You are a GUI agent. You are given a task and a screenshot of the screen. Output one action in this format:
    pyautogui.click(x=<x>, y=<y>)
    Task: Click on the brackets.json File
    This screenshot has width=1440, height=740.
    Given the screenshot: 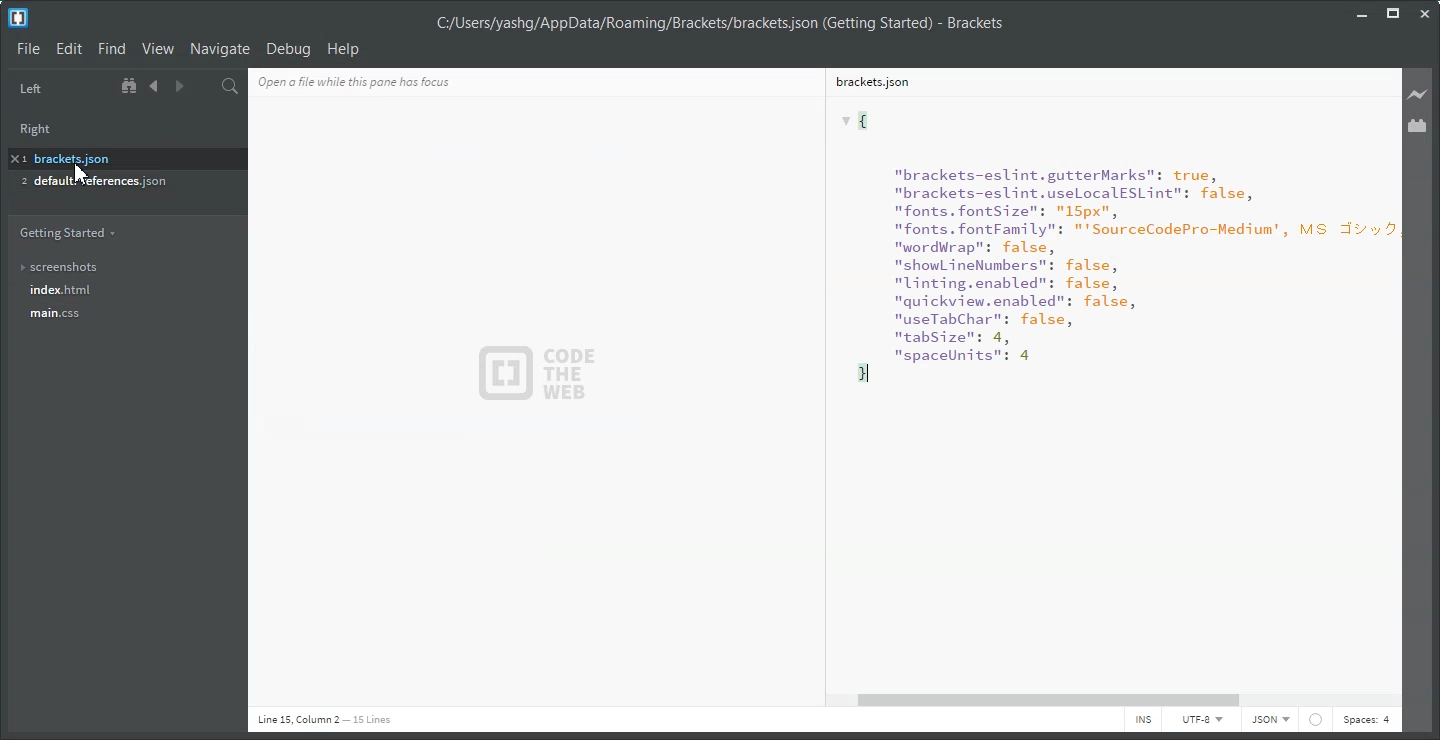 What is the action you would take?
    pyautogui.click(x=1103, y=81)
    